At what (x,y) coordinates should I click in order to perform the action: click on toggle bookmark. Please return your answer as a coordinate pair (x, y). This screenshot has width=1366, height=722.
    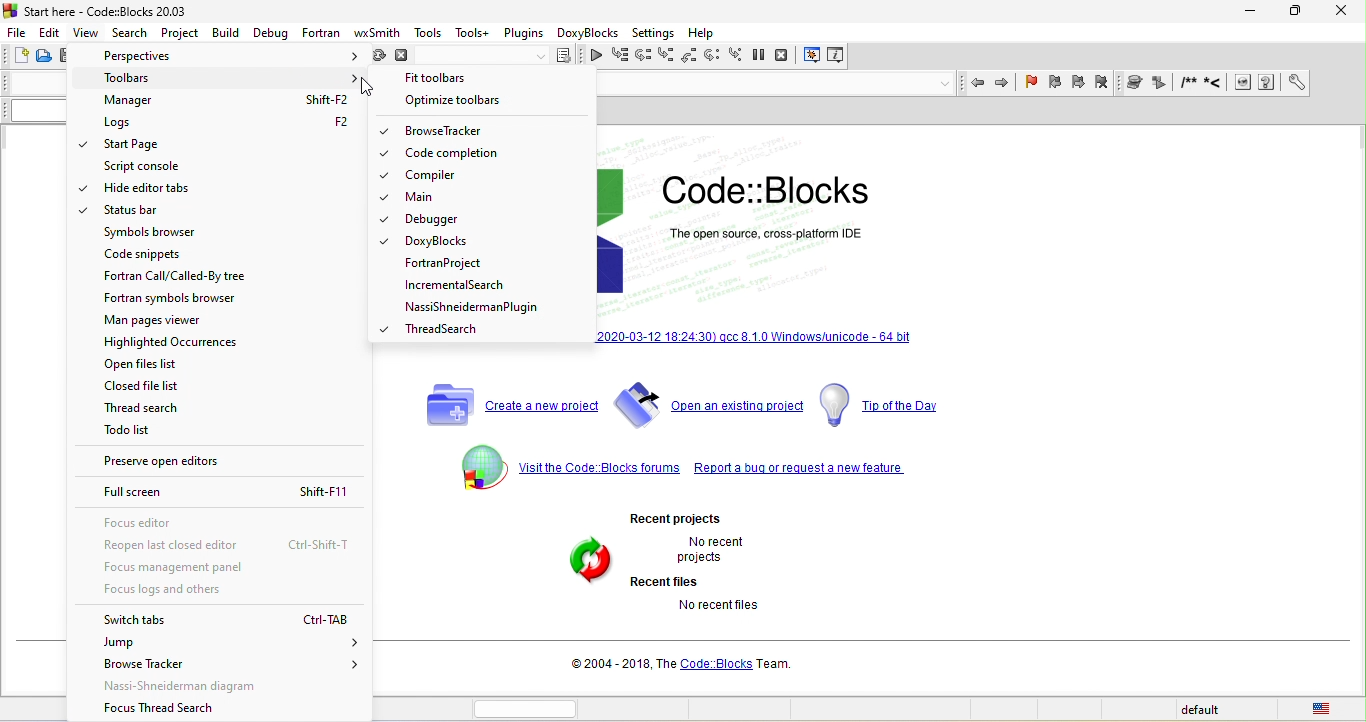
    Looking at the image, I should click on (1032, 85).